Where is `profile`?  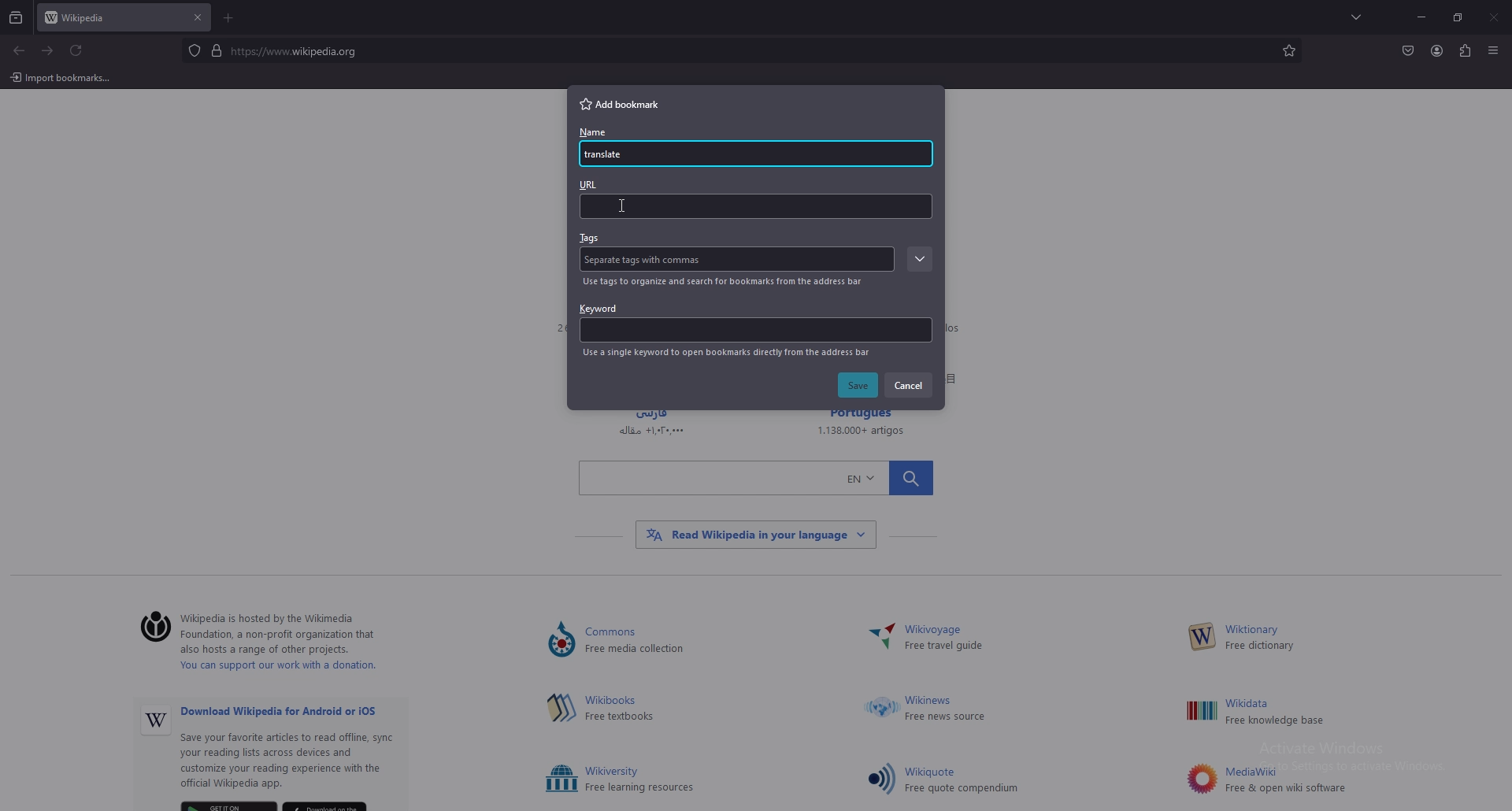
profile is located at coordinates (1437, 51).